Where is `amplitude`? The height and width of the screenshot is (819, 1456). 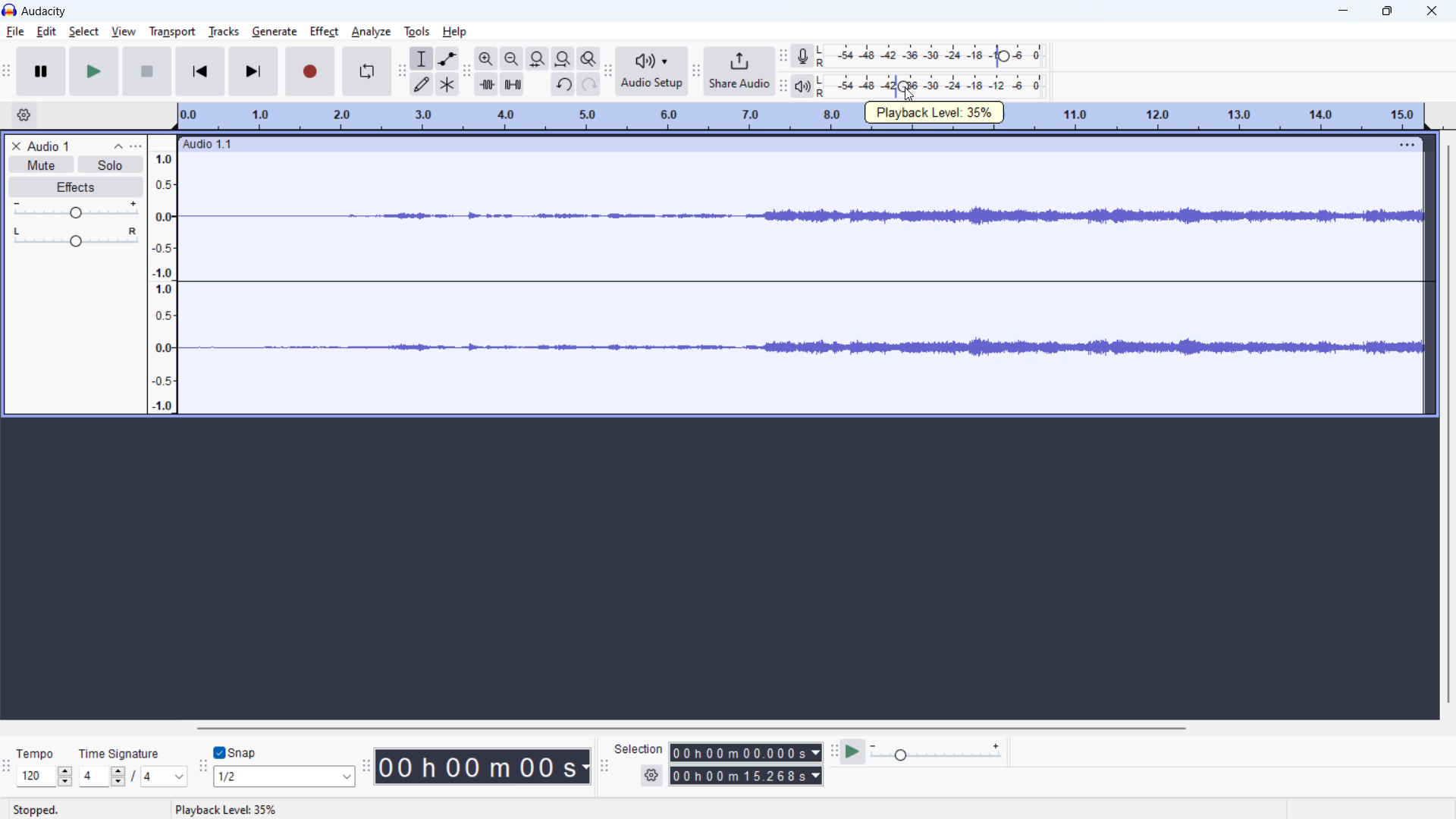
amplitude is located at coordinates (162, 275).